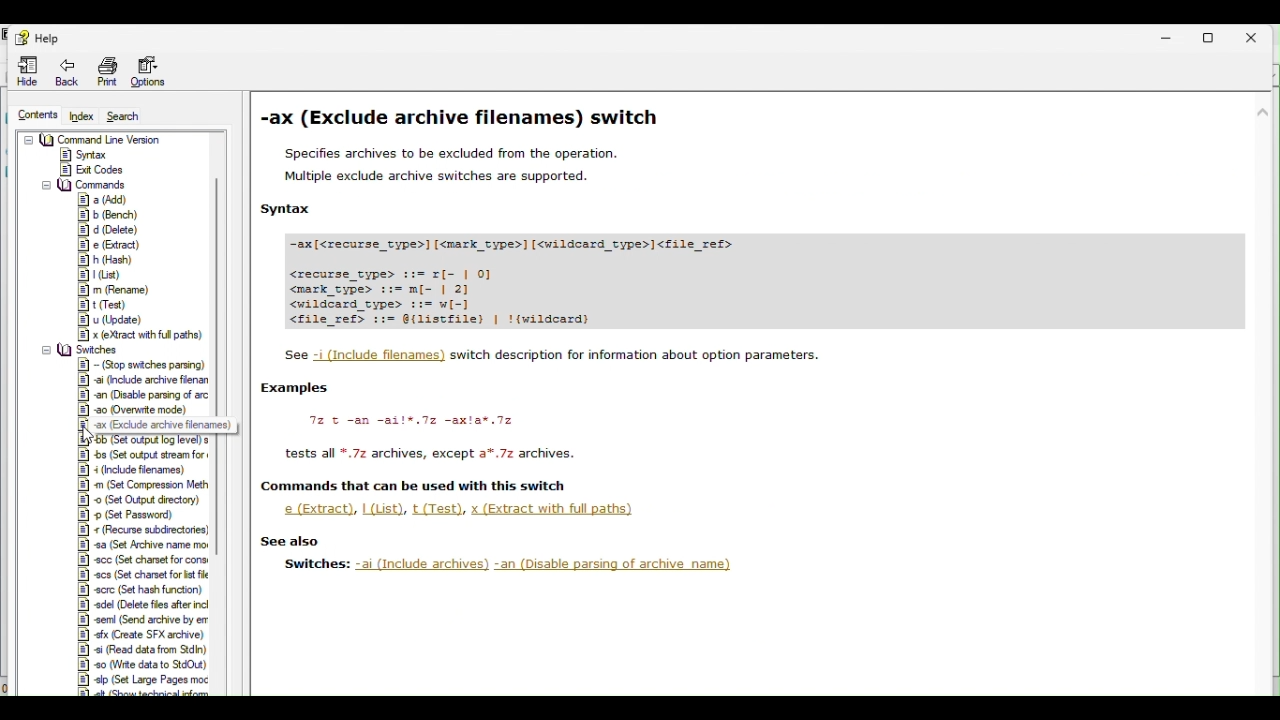 The height and width of the screenshot is (720, 1280). What do you see at coordinates (316, 564) in the screenshot?
I see `Switches: -` at bounding box center [316, 564].